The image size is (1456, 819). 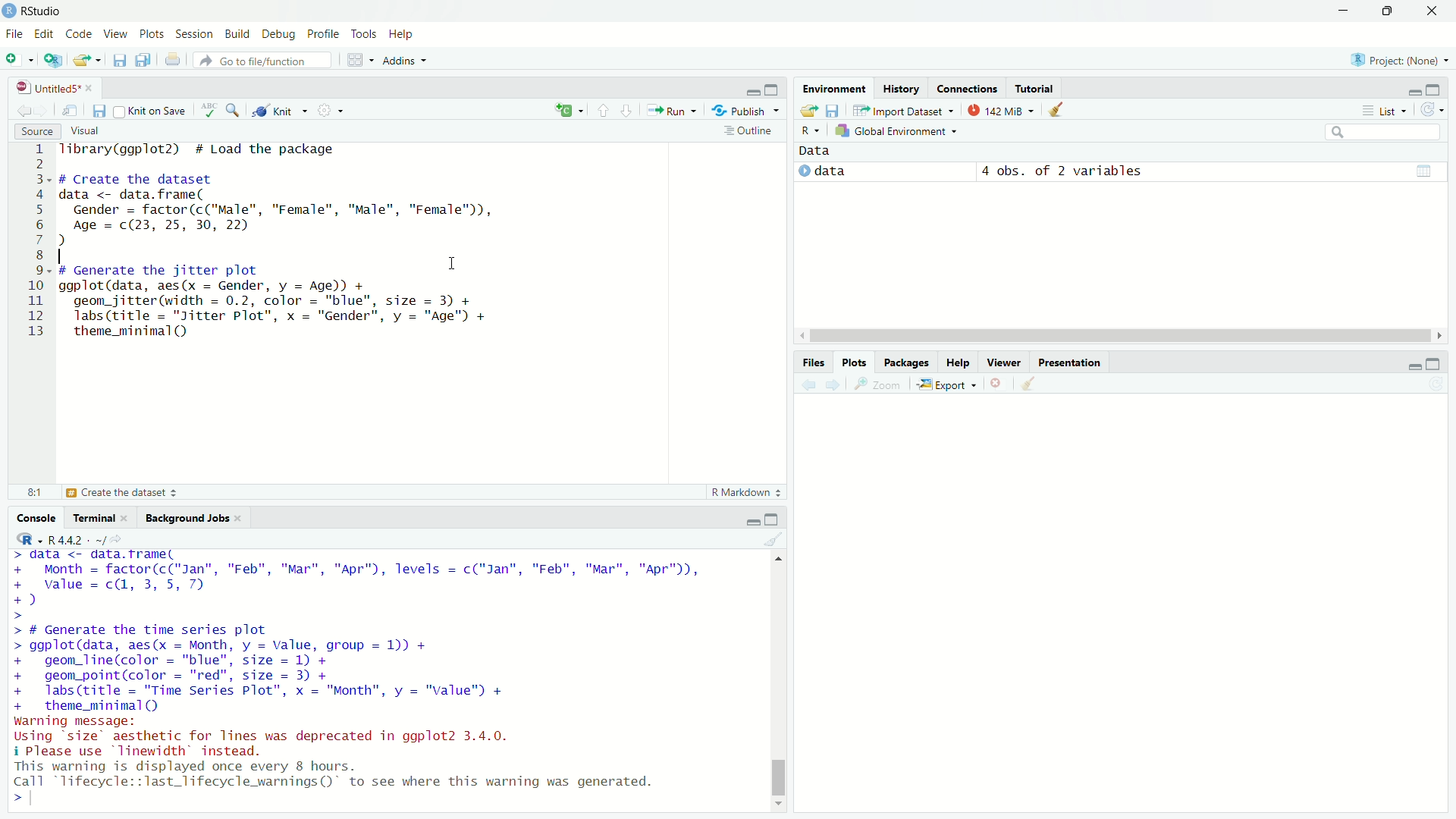 What do you see at coordinates (748, 110) in the screenshot?
I see `publish` at bounding box center [748, 110].